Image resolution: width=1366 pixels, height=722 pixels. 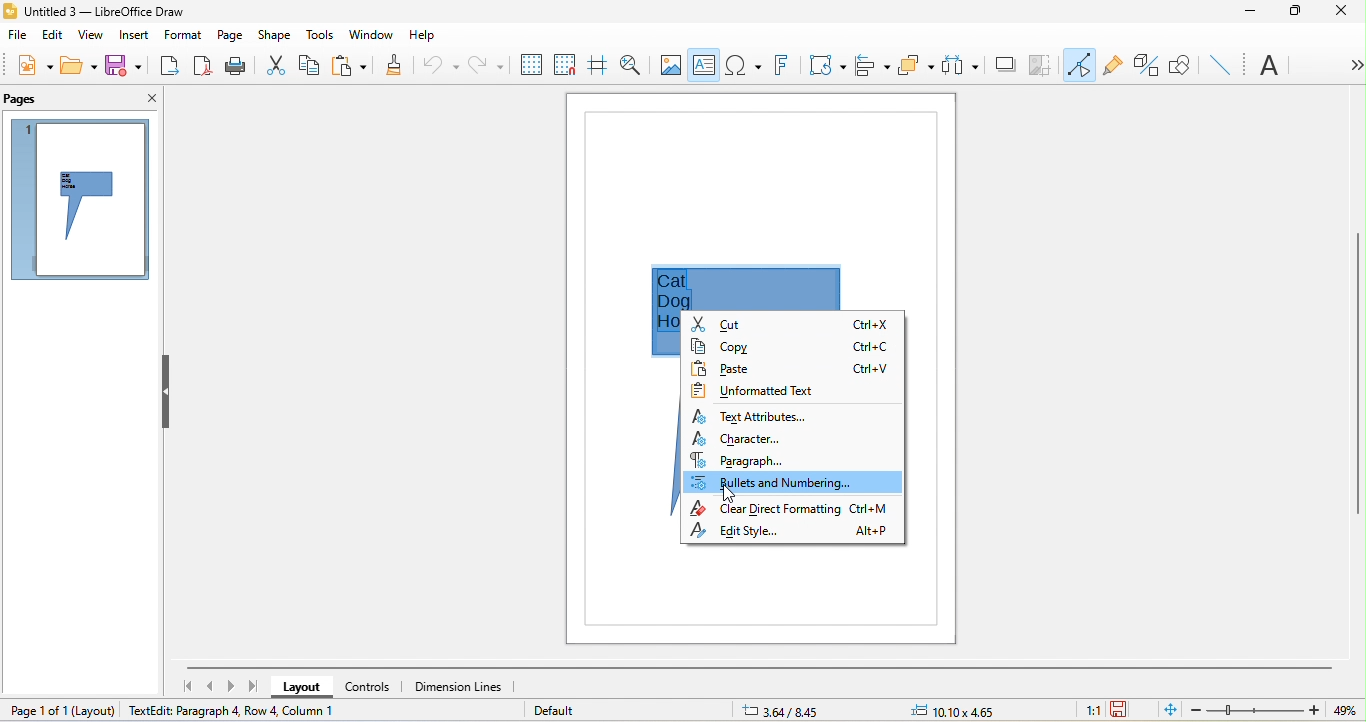 What do you see at coordinates (1166, 710) in the screenshot?
I see `fit to the current window` at bounding box center [1166, 710].